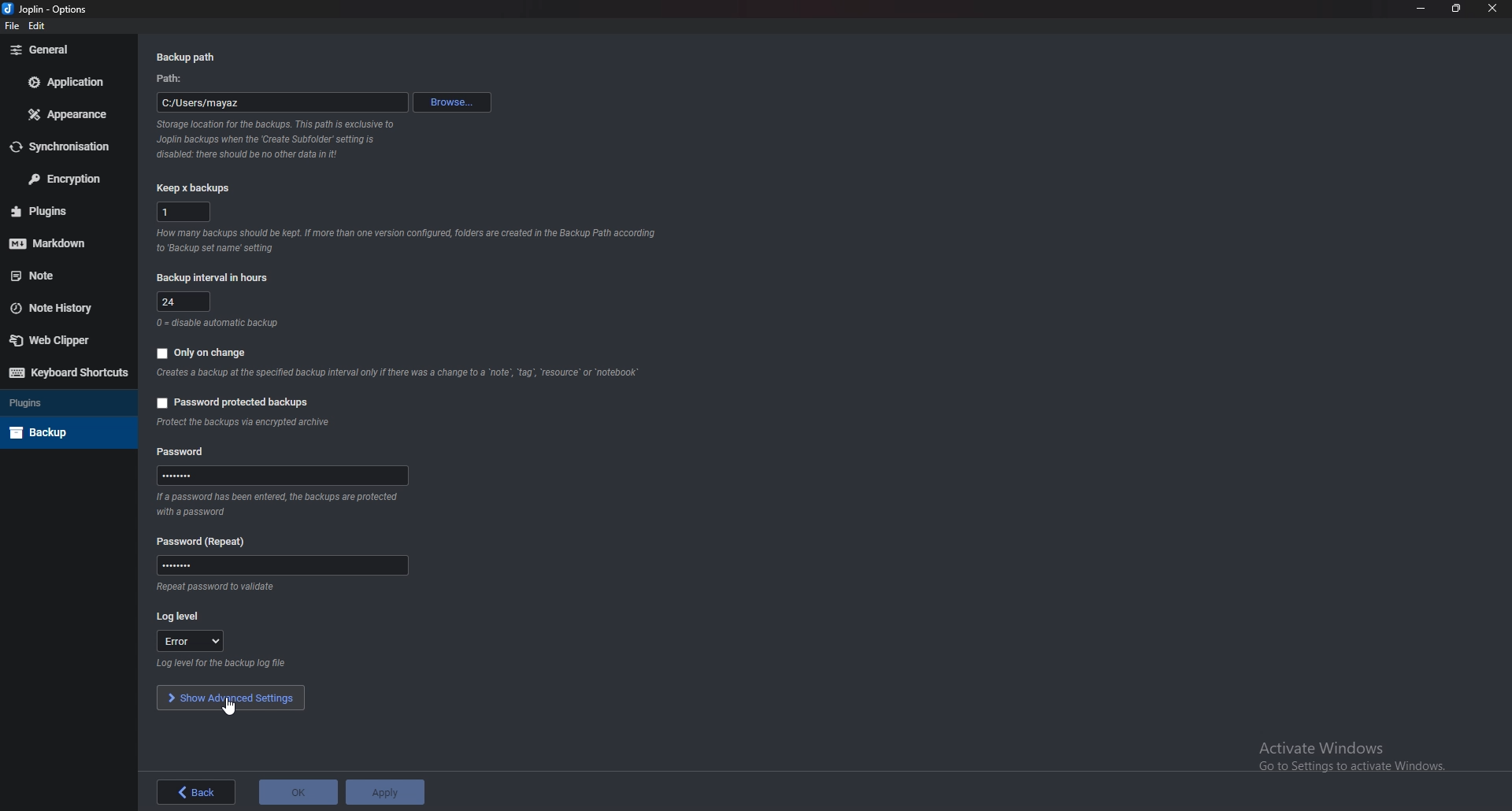 Image resolution: width=1512 pixels, height=811 pixels. What do you see at coordinates (65, 178) in the screenshot?
I see `Encryption` at bounding box center [65, 178].